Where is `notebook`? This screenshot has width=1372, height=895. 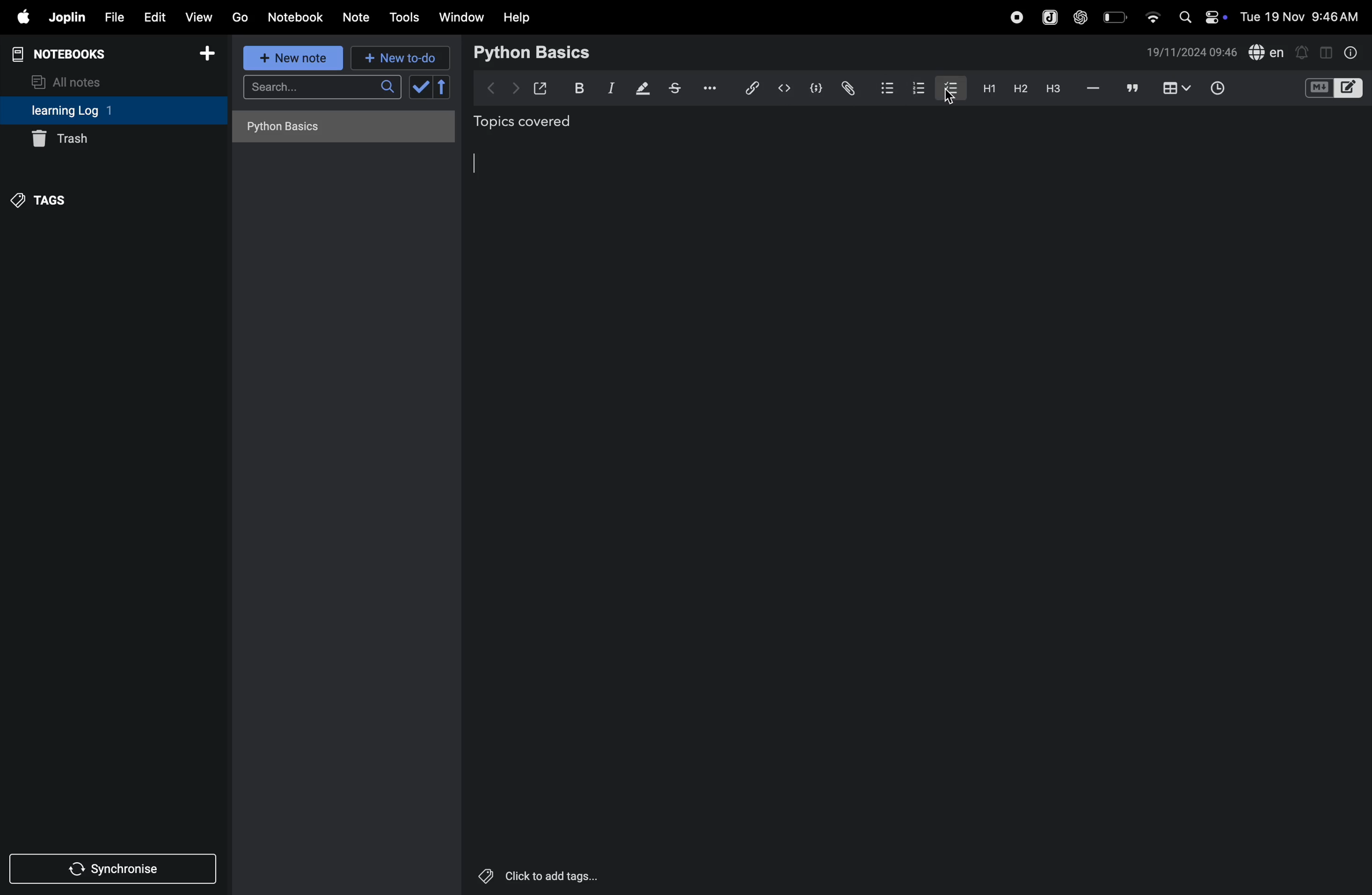
notebook is located at coordinates (297, 16).